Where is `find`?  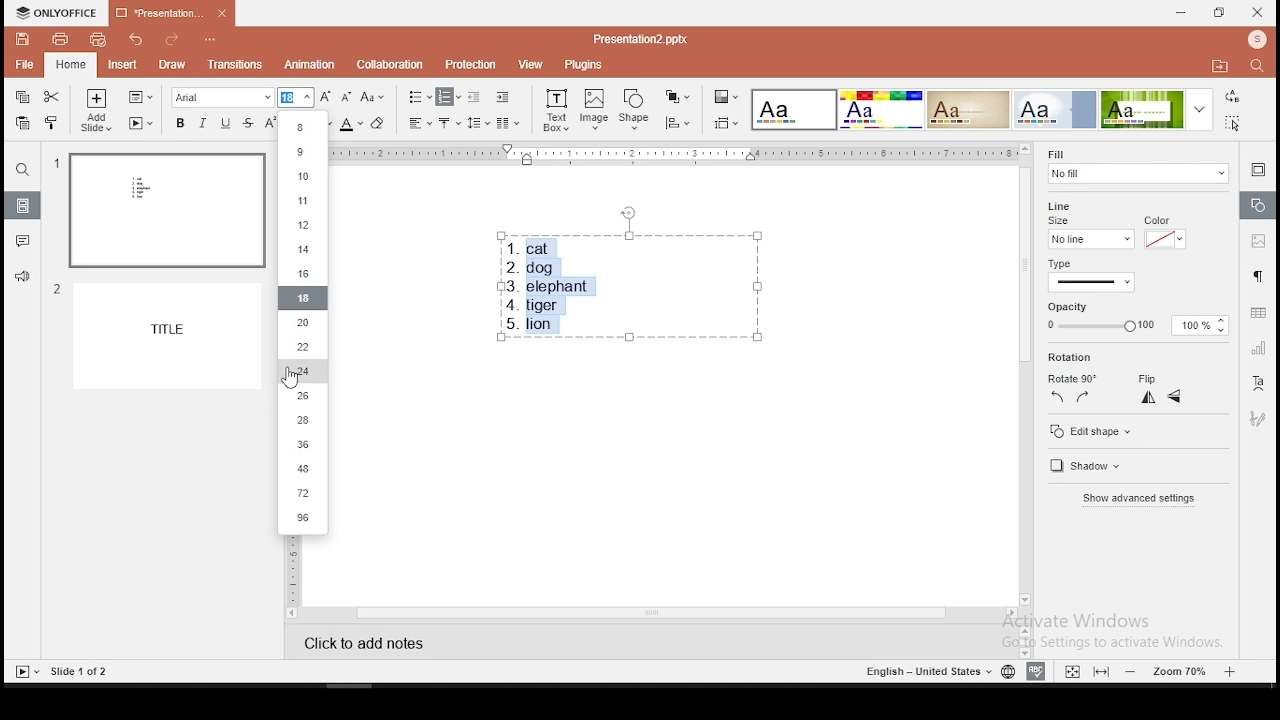 find is located at coordinates (1255, 65).